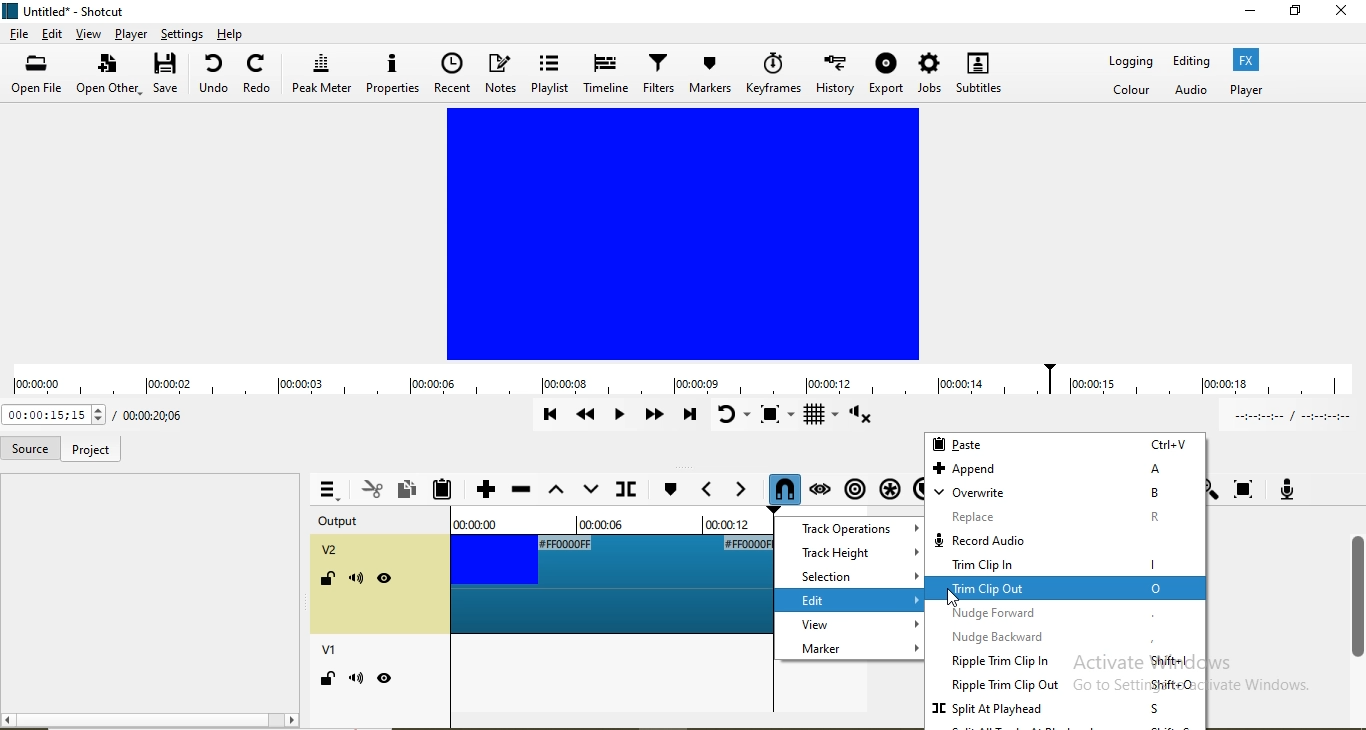 This screenshot has height=730, width=1366. Describe the element at coordinates (781, 489) in the screenshot. I see `Snap` at that location.